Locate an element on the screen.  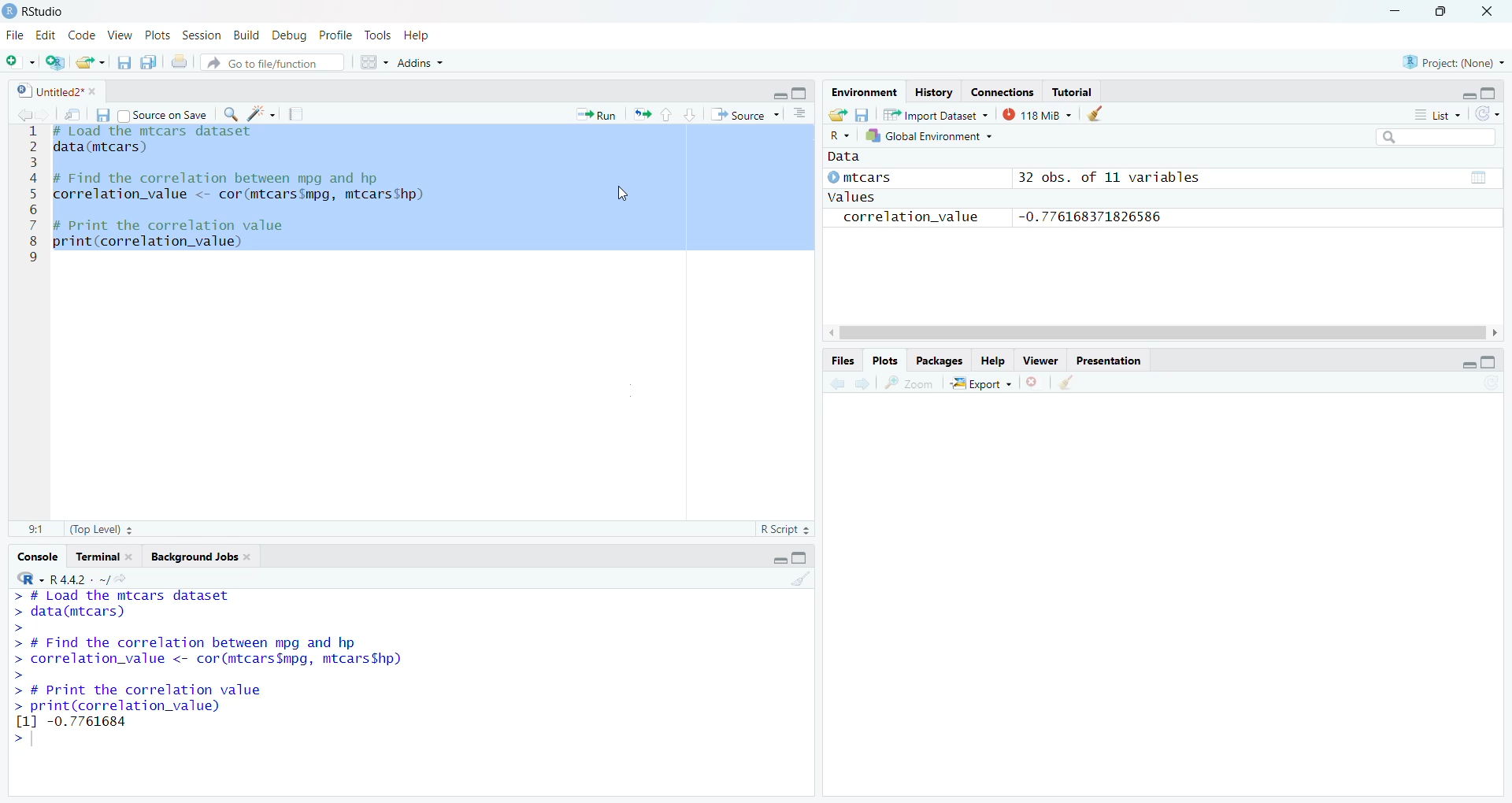
Open an existing file (Ctrl + O) is located at coordinates (91, 63).